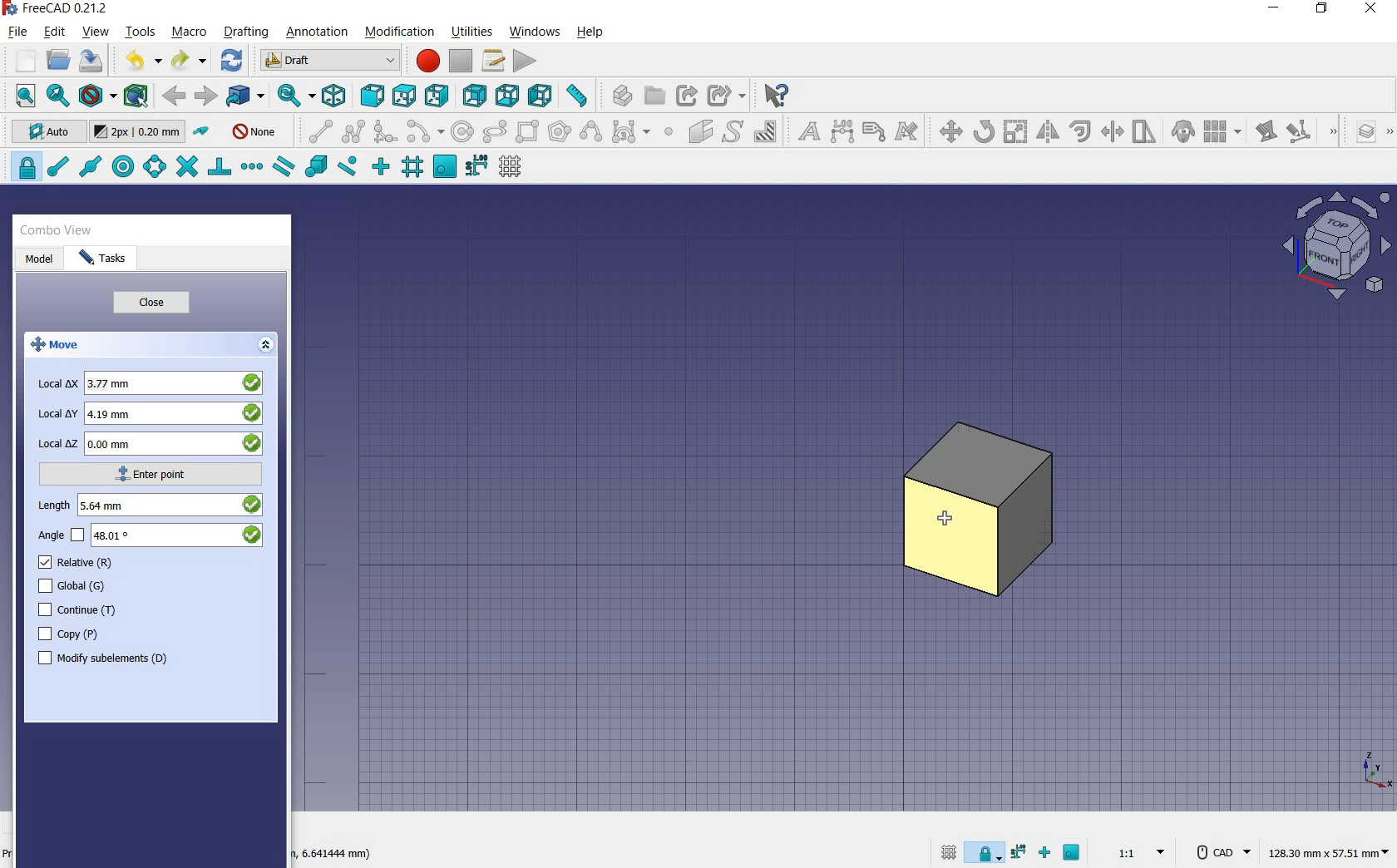 The image size is (1397, 868). Describe the element at coordinates (96, 31) in the screenshot. I see `view` at that location.